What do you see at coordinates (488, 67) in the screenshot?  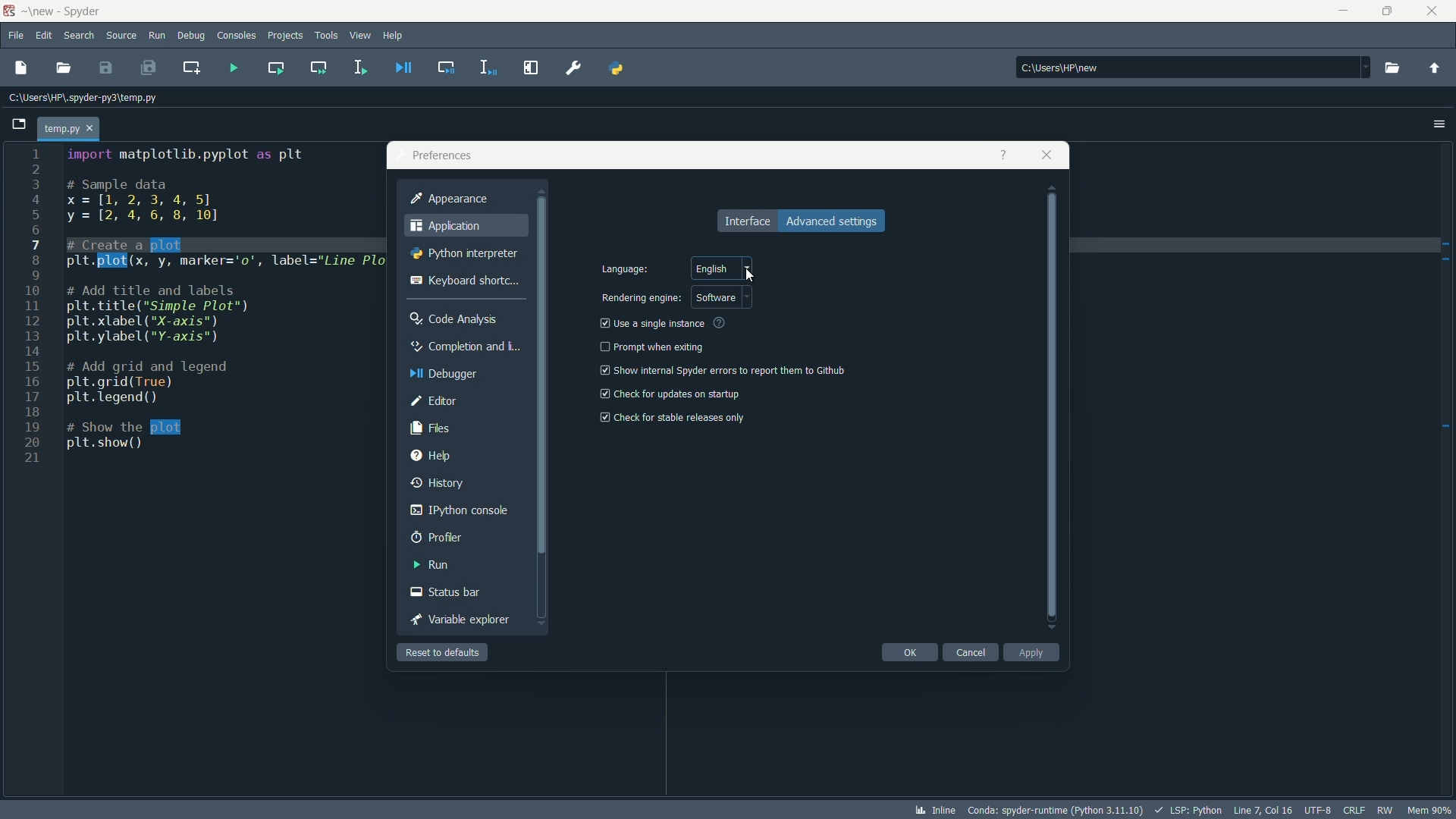 I see `debug selection` at bounding box center [488, 67].